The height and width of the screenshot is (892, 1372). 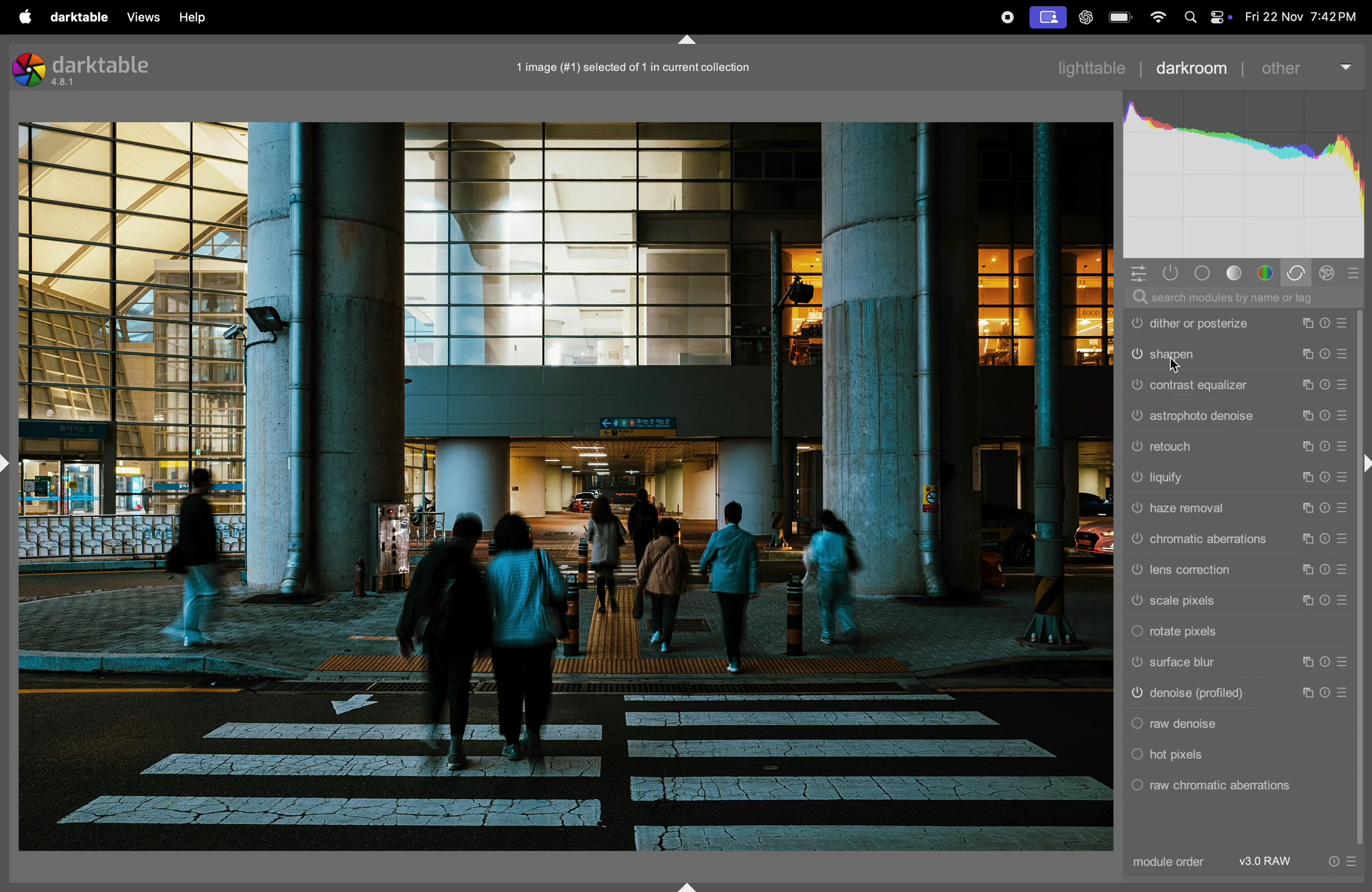 I want to click on chromatic, so click(x=1238, y=540).